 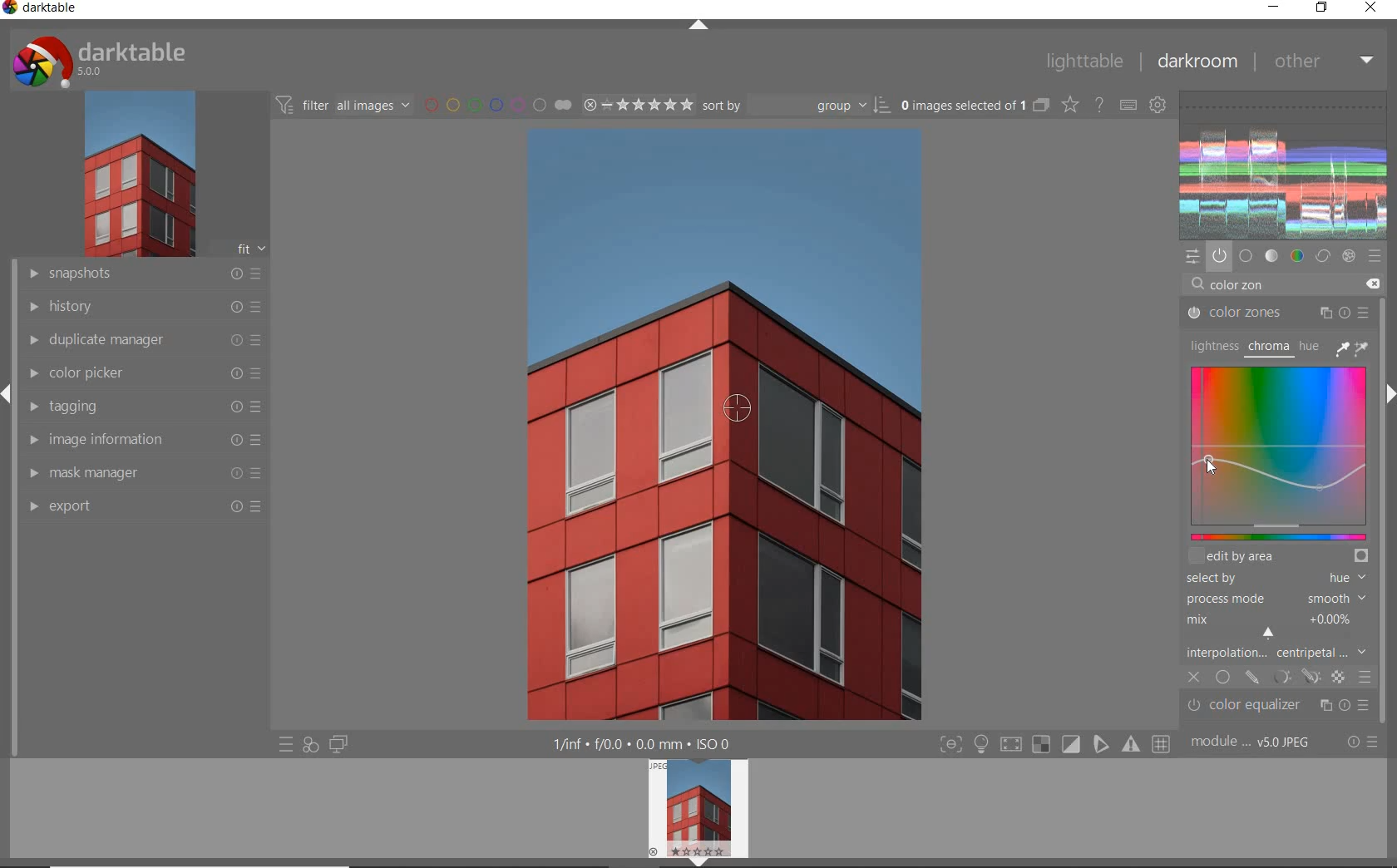 What do you see at coordinates (1196, 61) in the screenshot?
I see `dakroom` at bounding box center [1196, 61].